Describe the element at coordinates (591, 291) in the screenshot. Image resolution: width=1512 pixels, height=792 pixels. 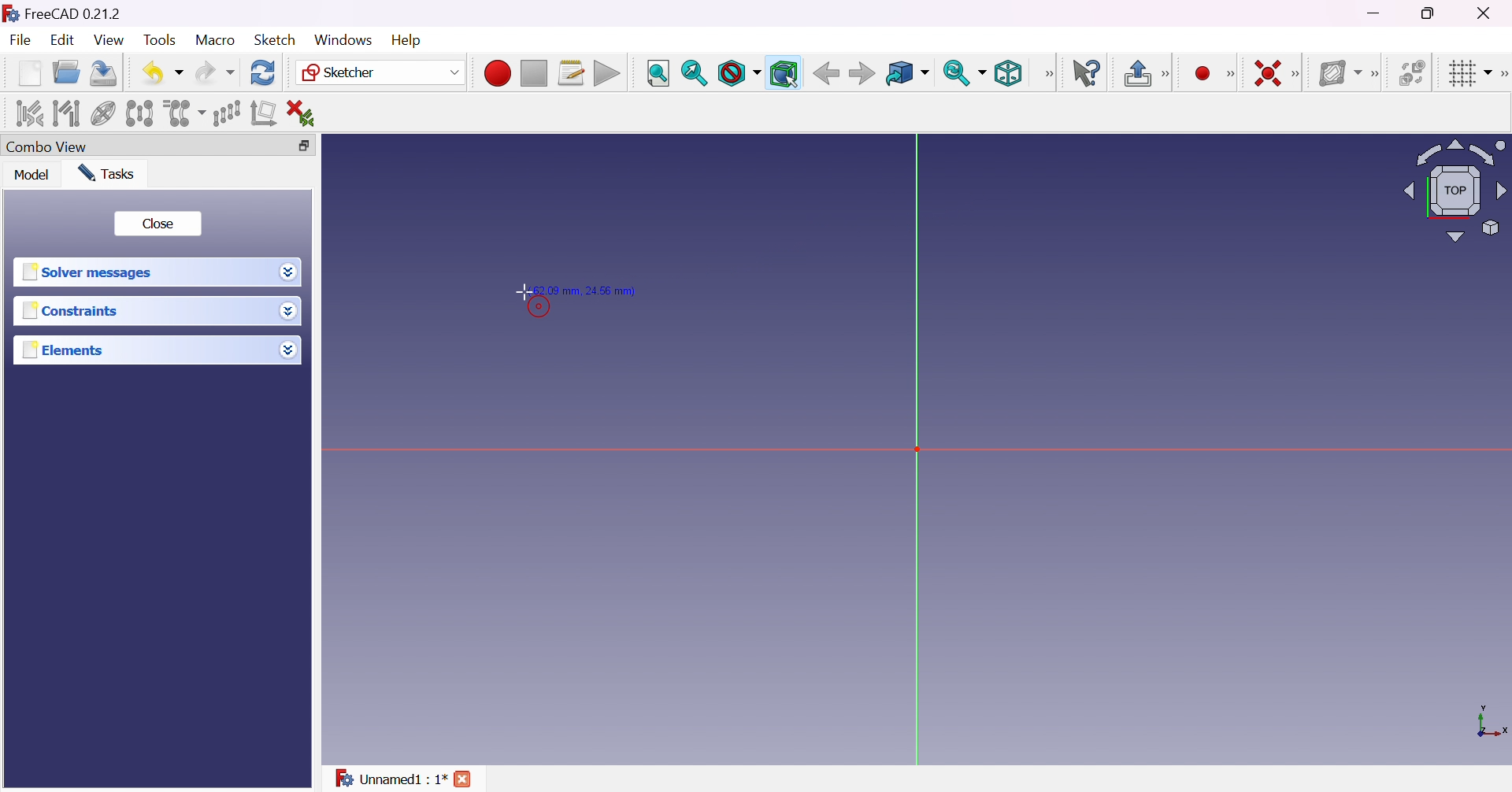
I see `(62.09 mm, 24.56 mm)` at that location.